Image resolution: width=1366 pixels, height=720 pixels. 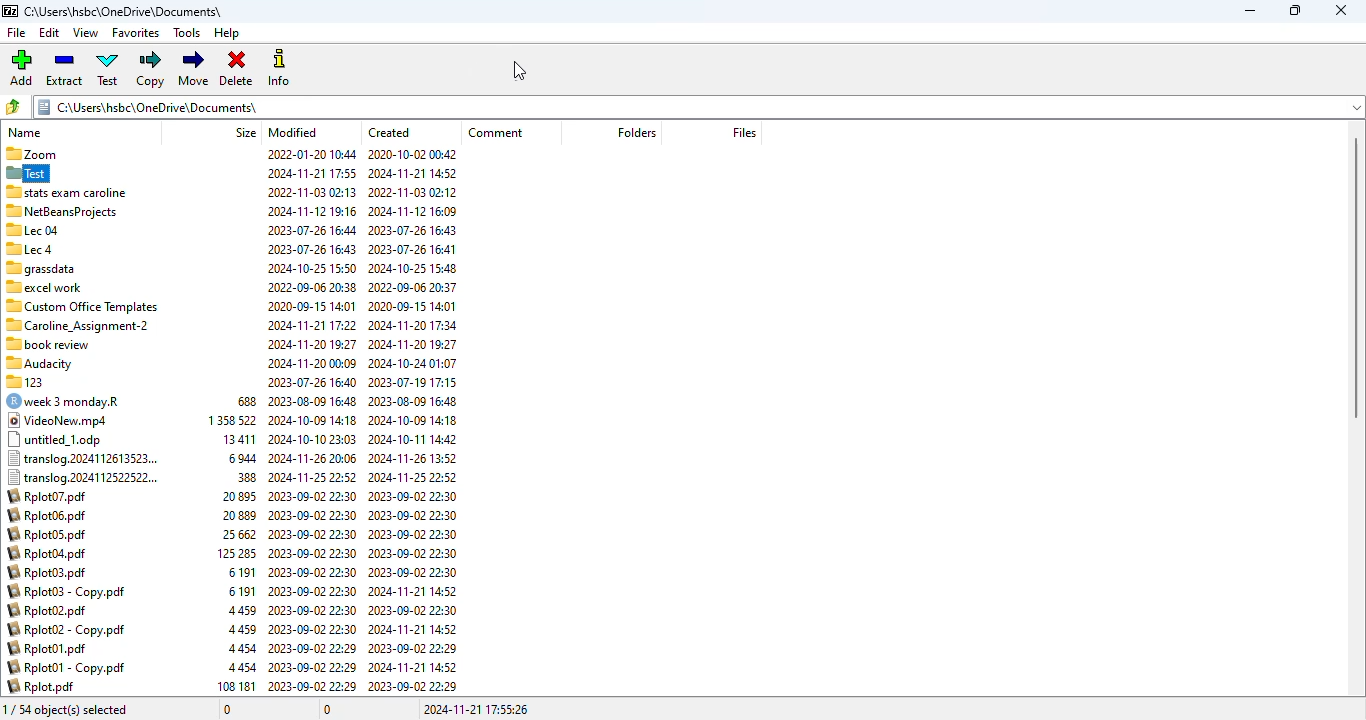 I want to click on 2024-11-20 17:34, so click(x=413, y=325).